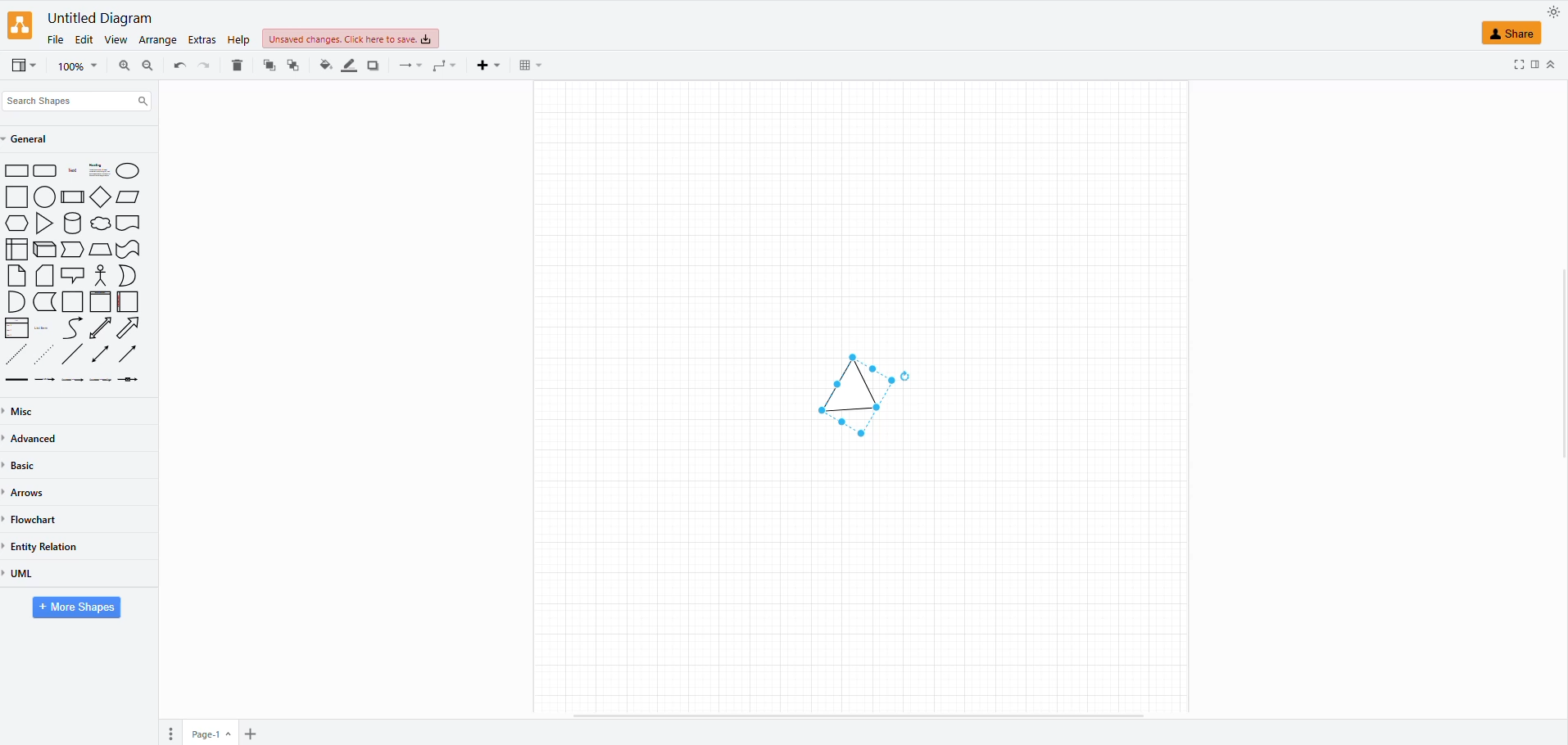  I want to click on fullscreen, so click(1518, 65).